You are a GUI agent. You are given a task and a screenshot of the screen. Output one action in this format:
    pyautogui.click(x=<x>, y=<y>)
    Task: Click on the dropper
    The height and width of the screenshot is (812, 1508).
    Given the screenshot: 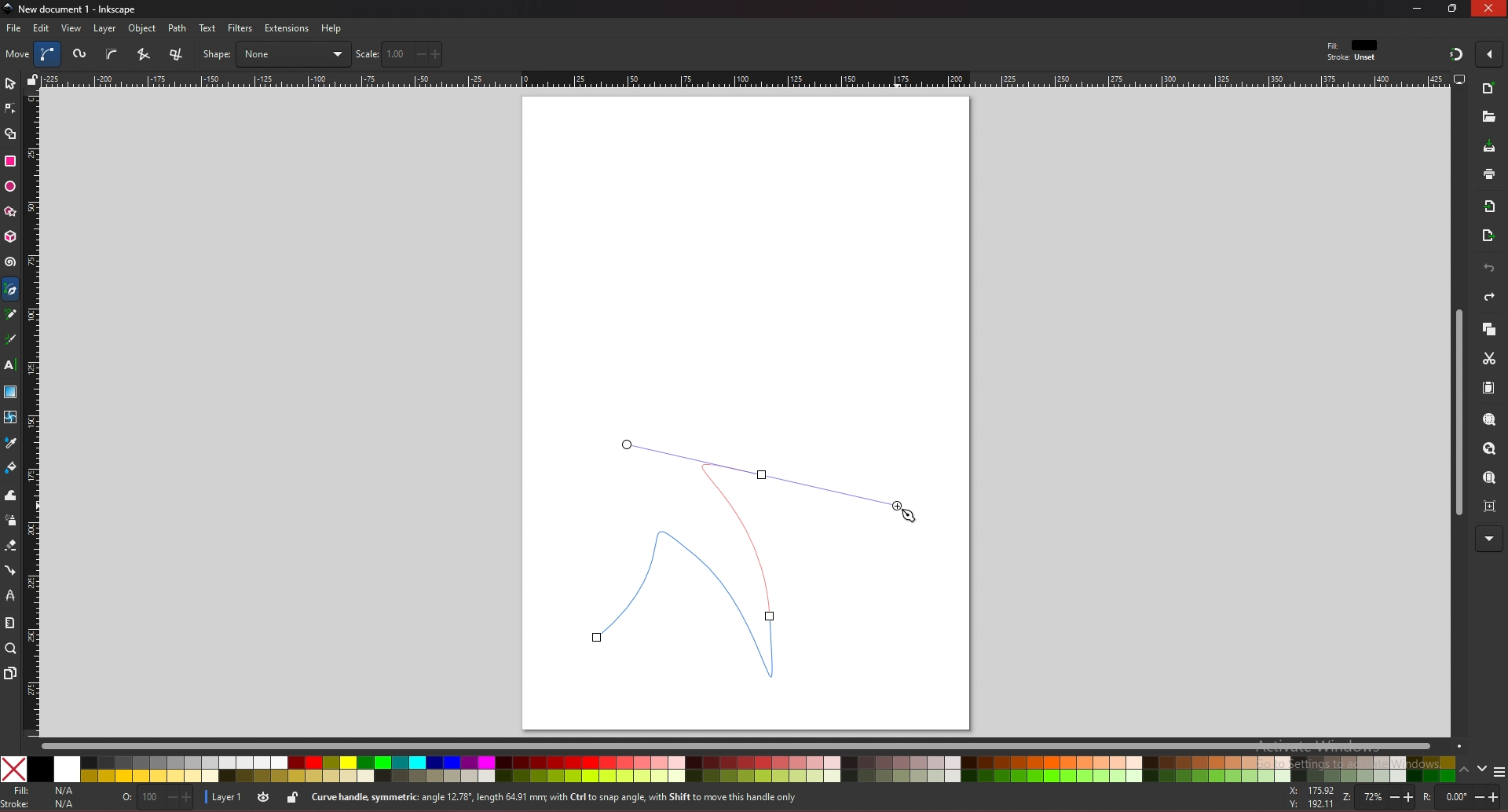 What is the action you would take?
    pyautogui.click(x=11, y=444)
    